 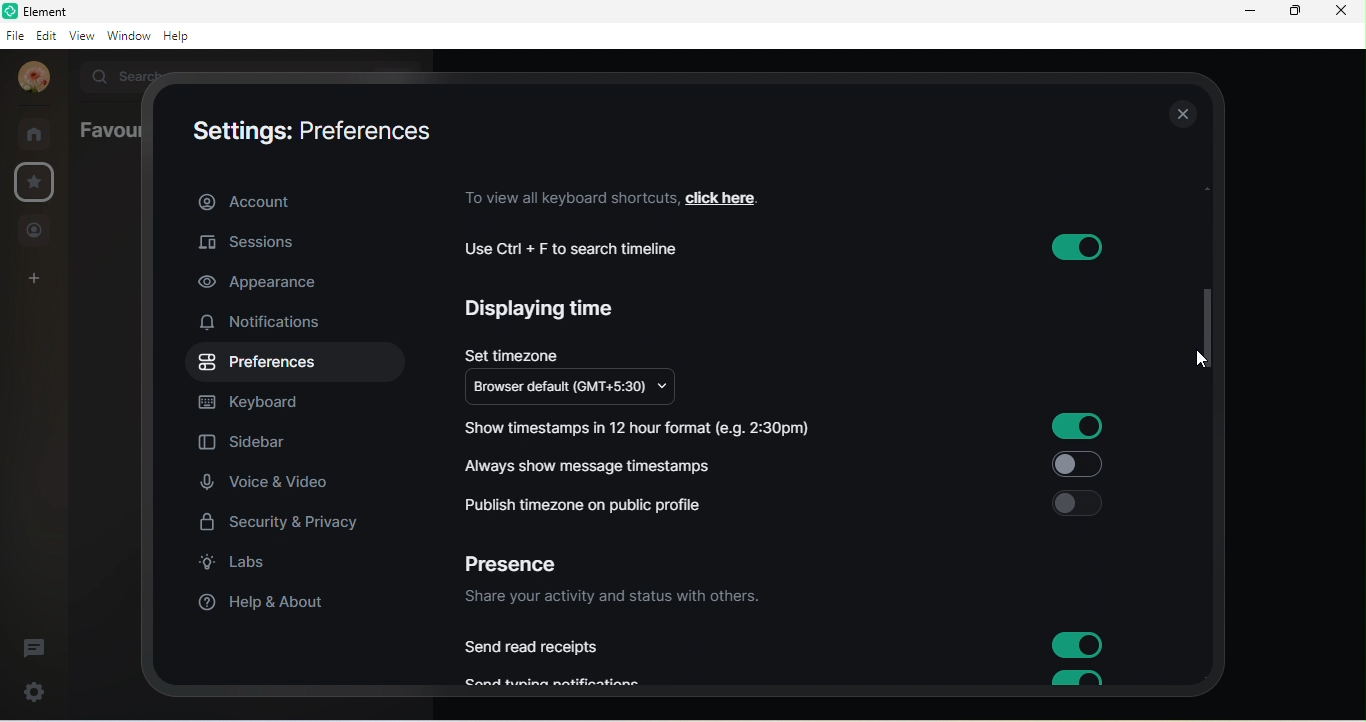 What do you see at coordinates (546, 313) in the screenshot?
I see `displaying time` at bounding box center [546, 313].